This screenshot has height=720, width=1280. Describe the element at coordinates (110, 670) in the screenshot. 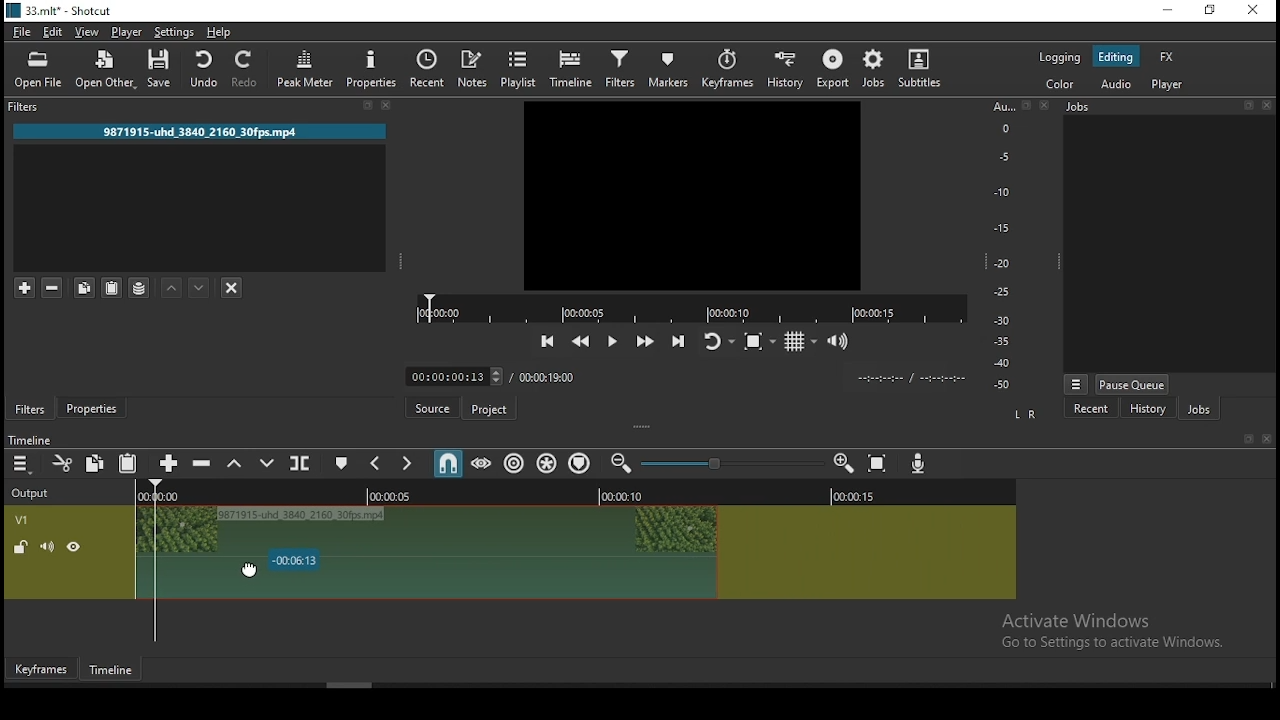

I see `Timeline` at that location.